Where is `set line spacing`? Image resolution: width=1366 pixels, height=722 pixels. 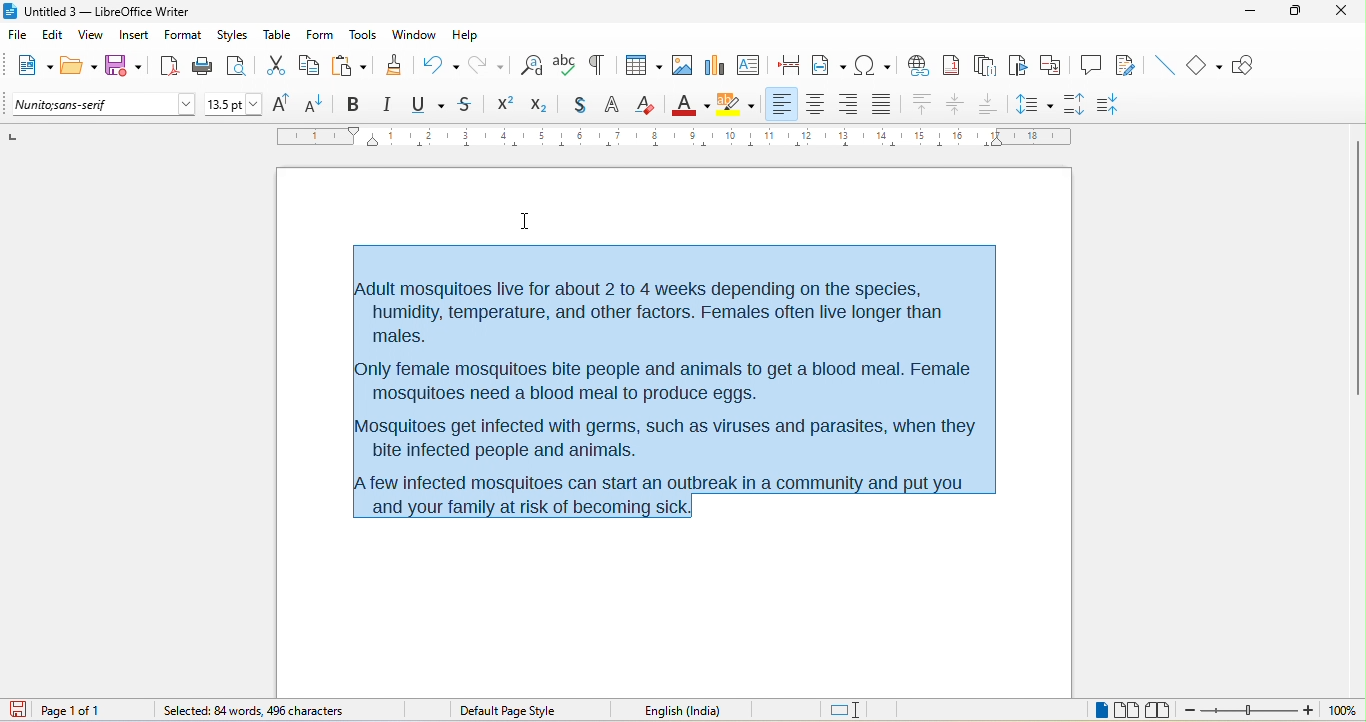
set line spacing is located at coordinates (1033, 102).